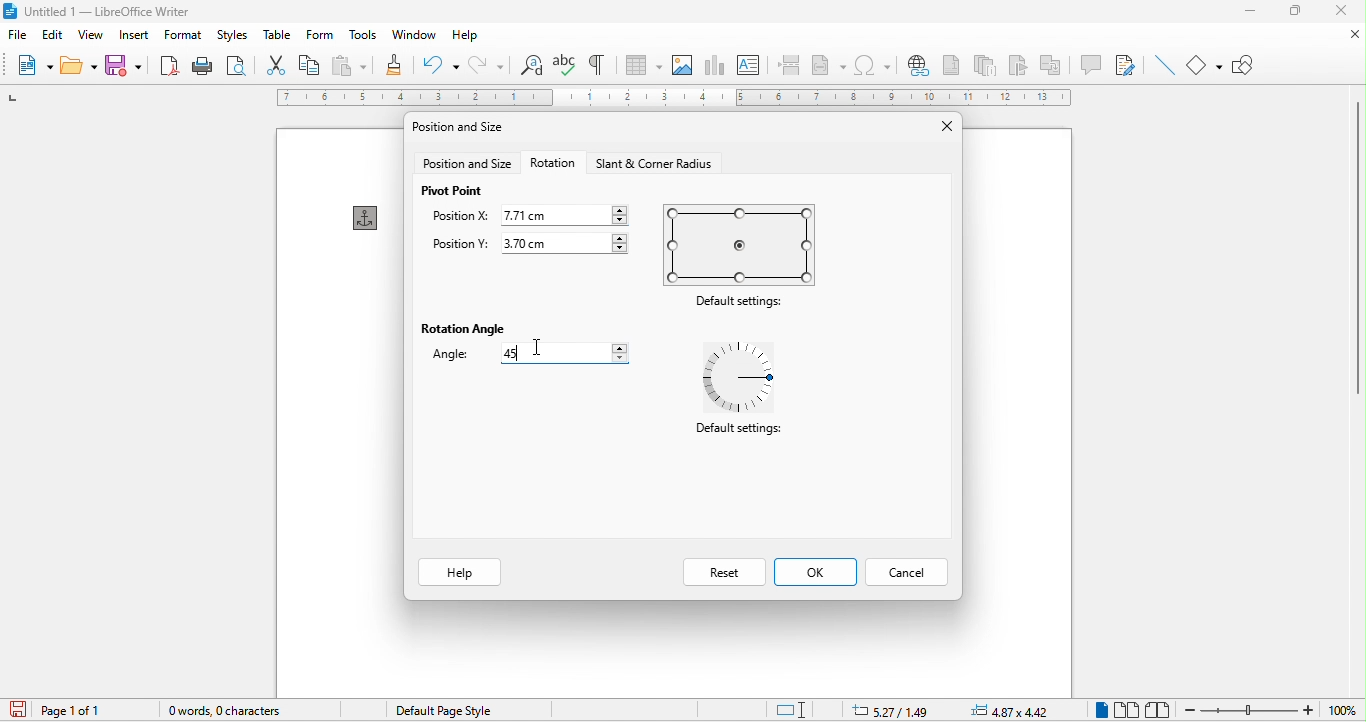  What do you see at coordinates (741, 305) in the screenshot?
I see `Default settings:` at bounding box center [741, 305].